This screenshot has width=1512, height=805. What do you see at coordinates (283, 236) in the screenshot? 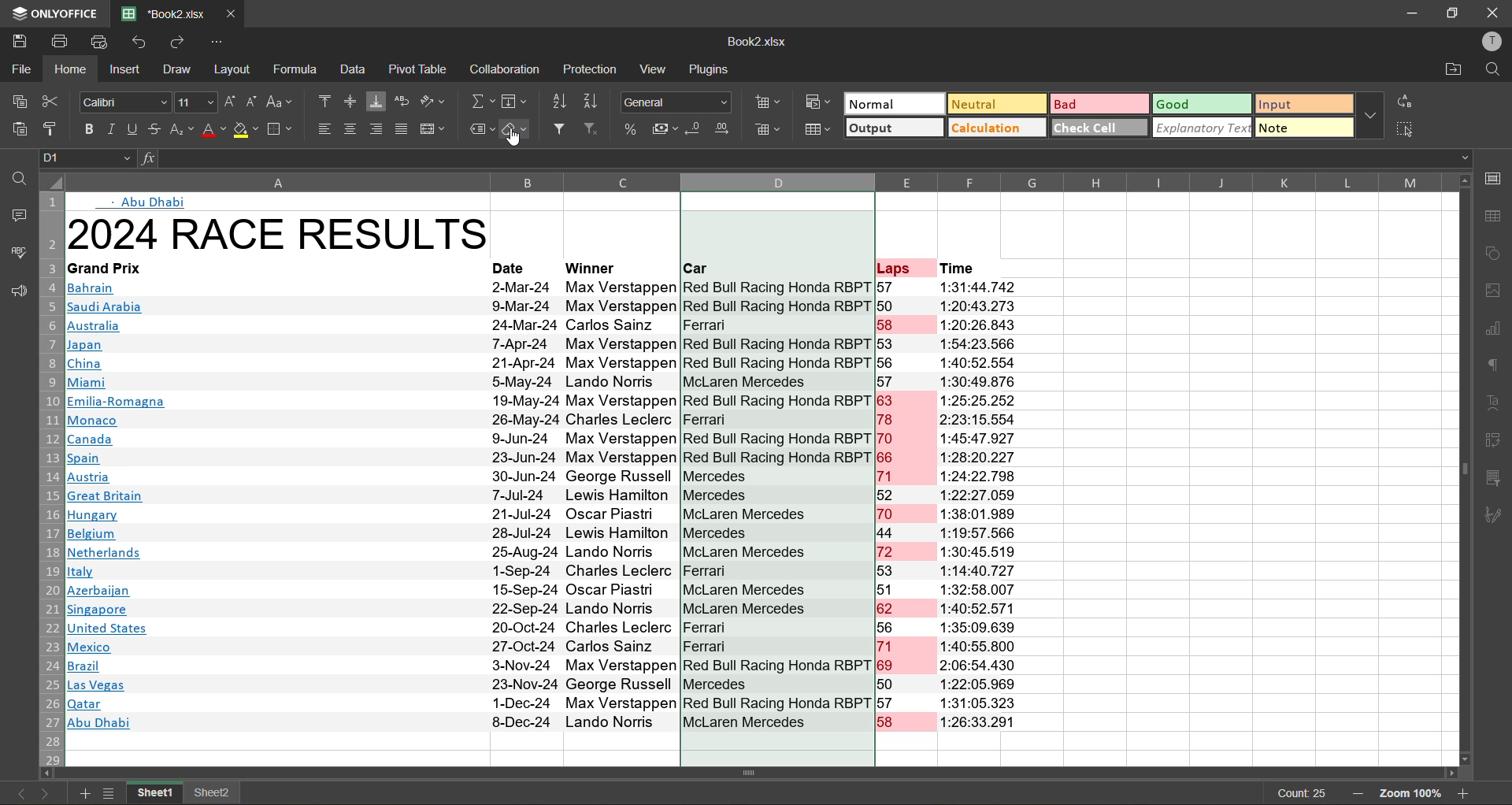
I see `2024 RACE RESULTS` at bounding box center [283, 236].